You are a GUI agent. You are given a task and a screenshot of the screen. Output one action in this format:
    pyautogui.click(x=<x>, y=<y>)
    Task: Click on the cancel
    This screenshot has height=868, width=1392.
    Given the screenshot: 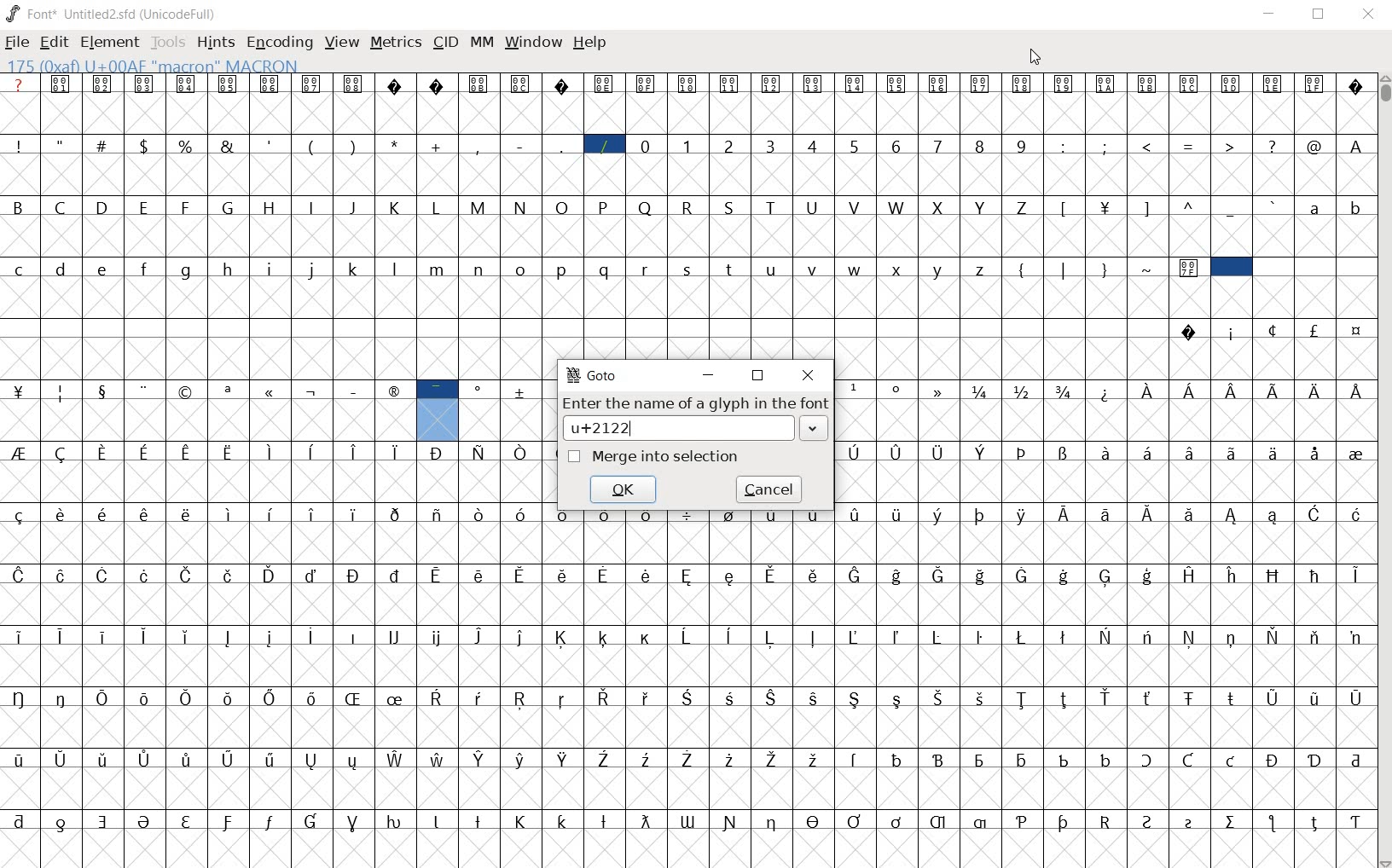 What is the action you would take?
    pyautogui.click(x=772, y=490)
    